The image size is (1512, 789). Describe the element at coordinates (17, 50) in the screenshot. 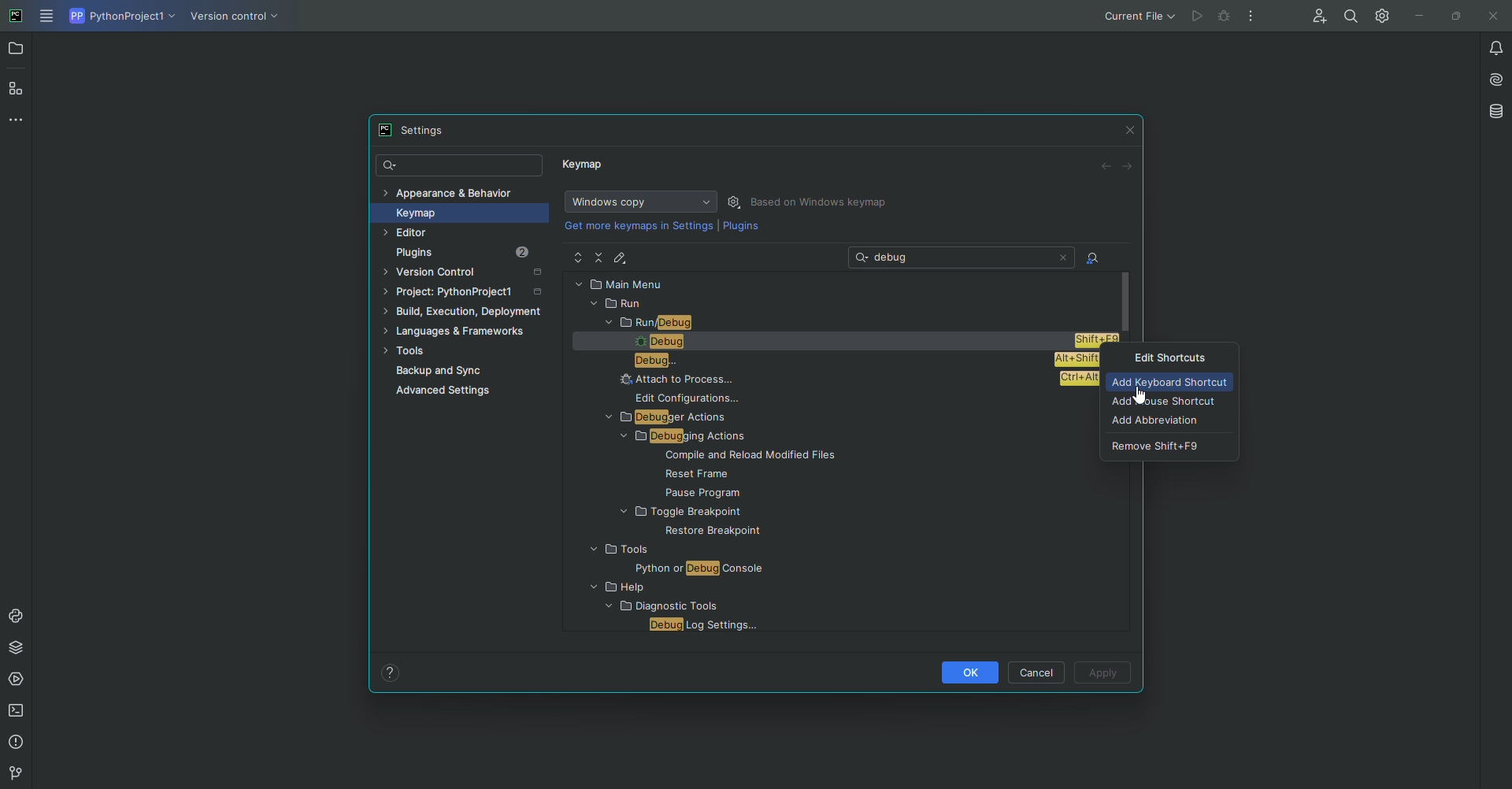

I see `Project` at that location.